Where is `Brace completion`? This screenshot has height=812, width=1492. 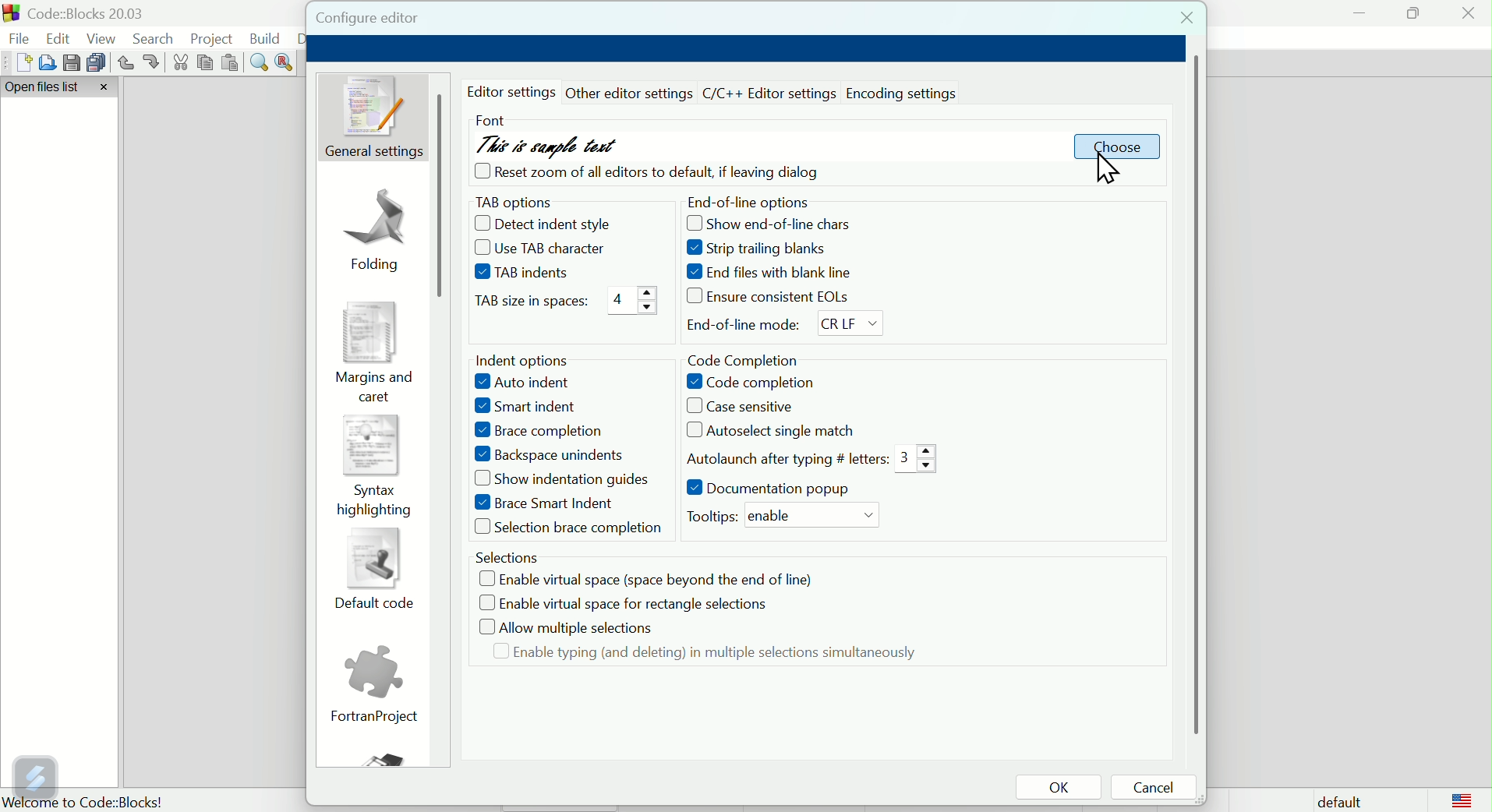 Brace completion is located at coordinates (540, 429).